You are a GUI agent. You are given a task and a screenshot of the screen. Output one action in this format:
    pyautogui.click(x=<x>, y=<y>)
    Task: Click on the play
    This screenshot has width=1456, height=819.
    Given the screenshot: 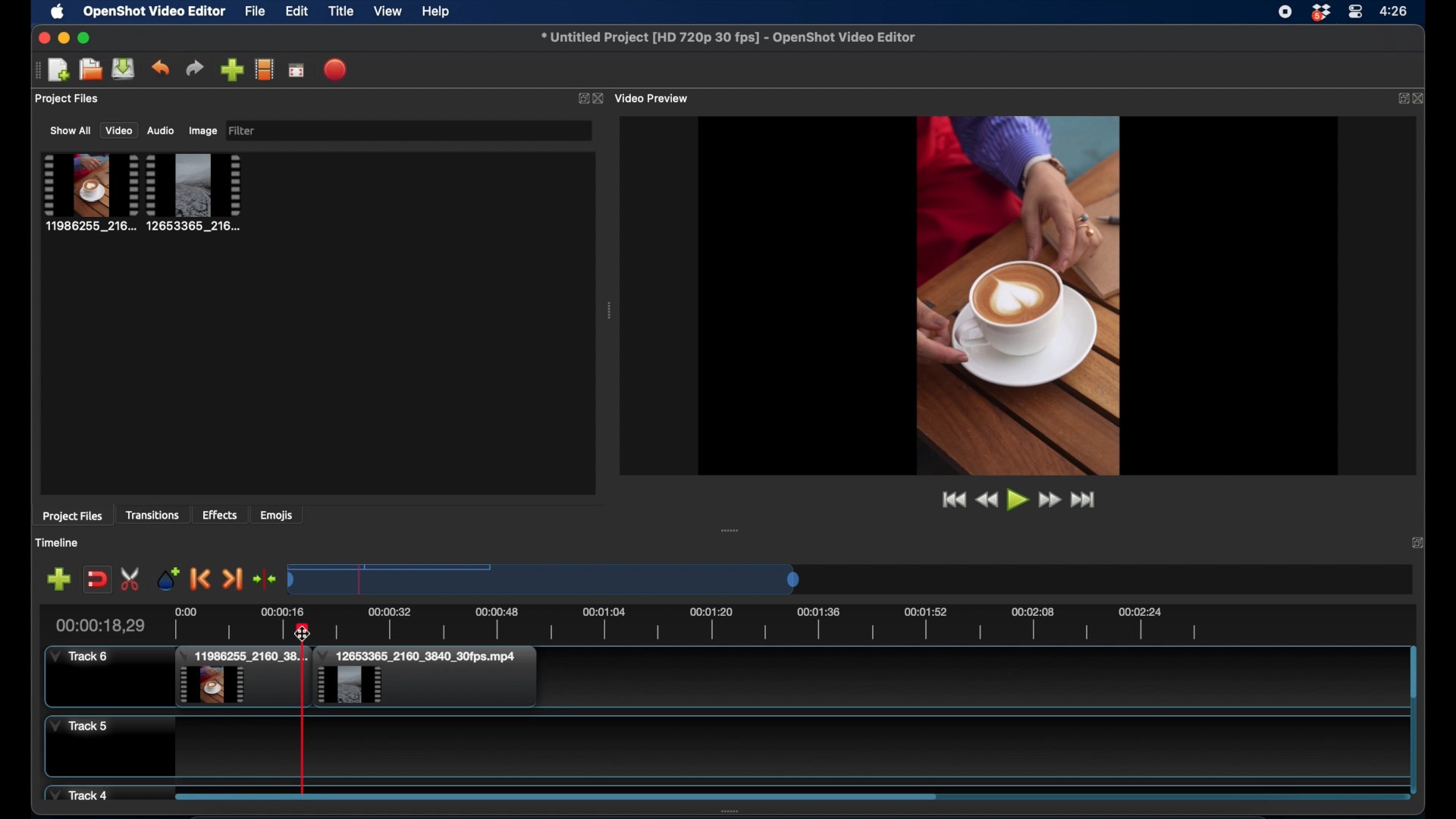 What is the action you would take?
    pyautogui.click(x=1017, y=501)
    